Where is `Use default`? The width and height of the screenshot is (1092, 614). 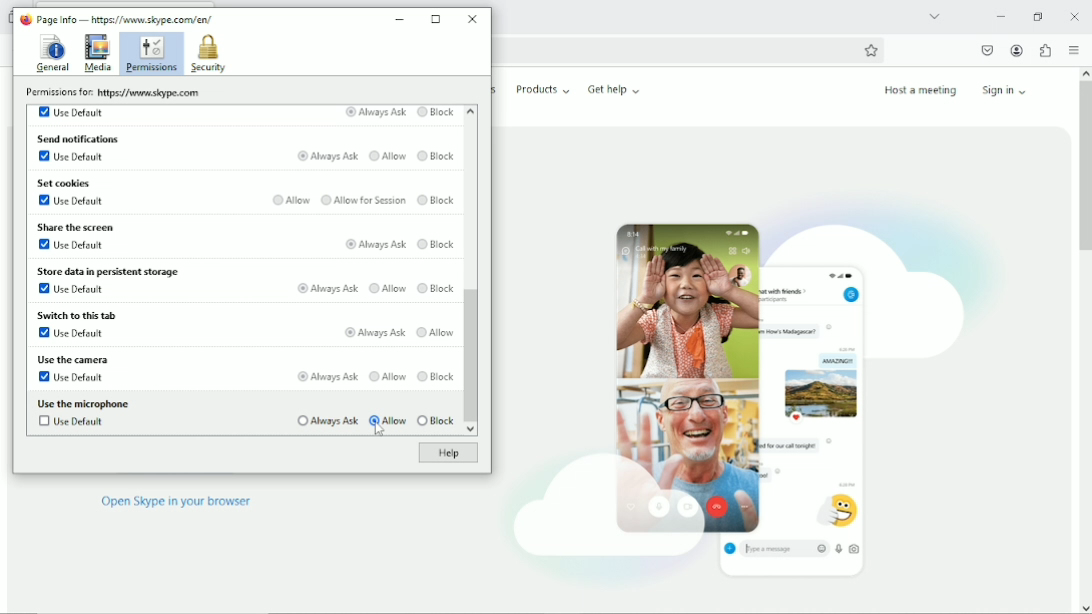
Use default is located at coordinates (74, 423).